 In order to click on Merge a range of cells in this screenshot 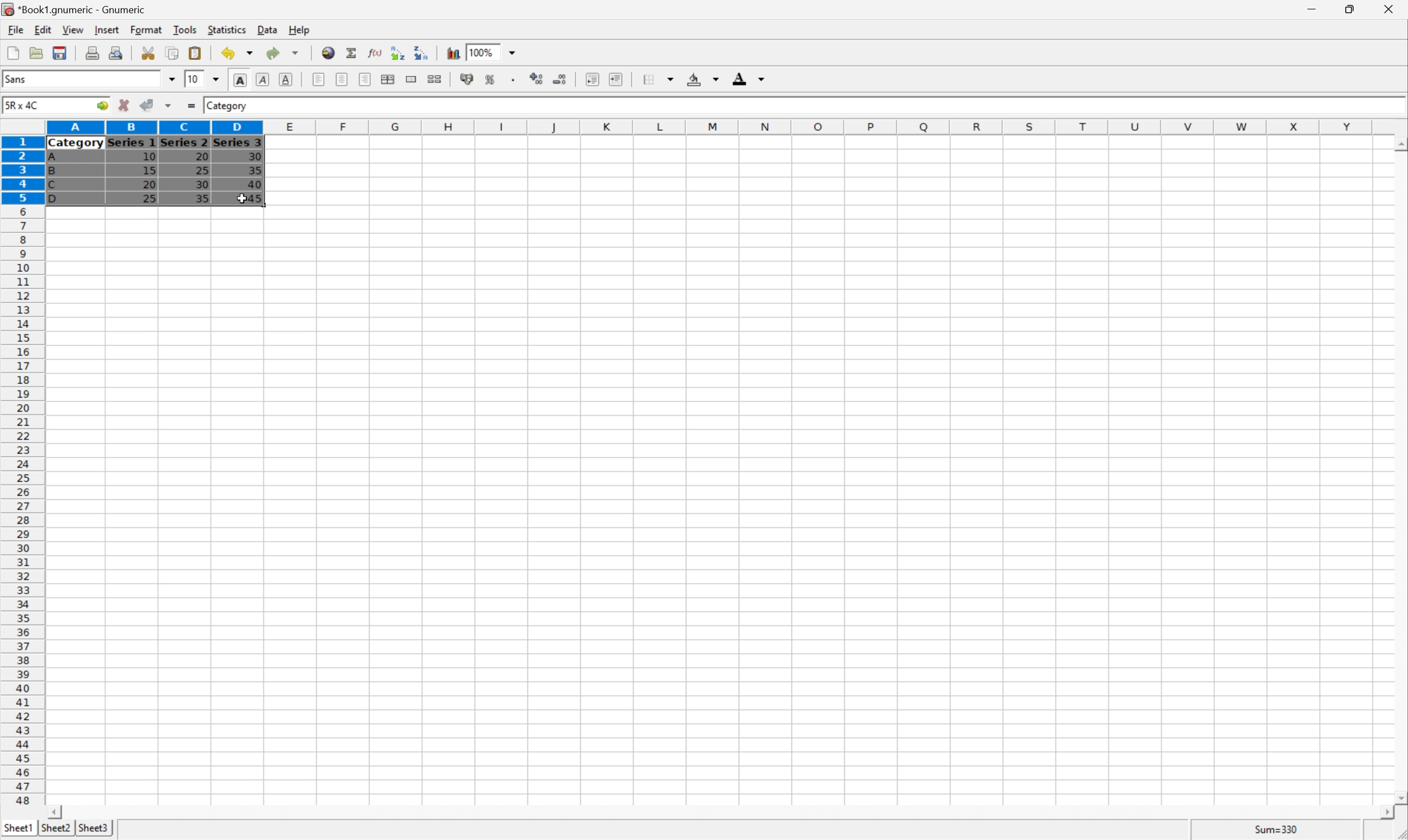, I will do `click(410, 79)`.